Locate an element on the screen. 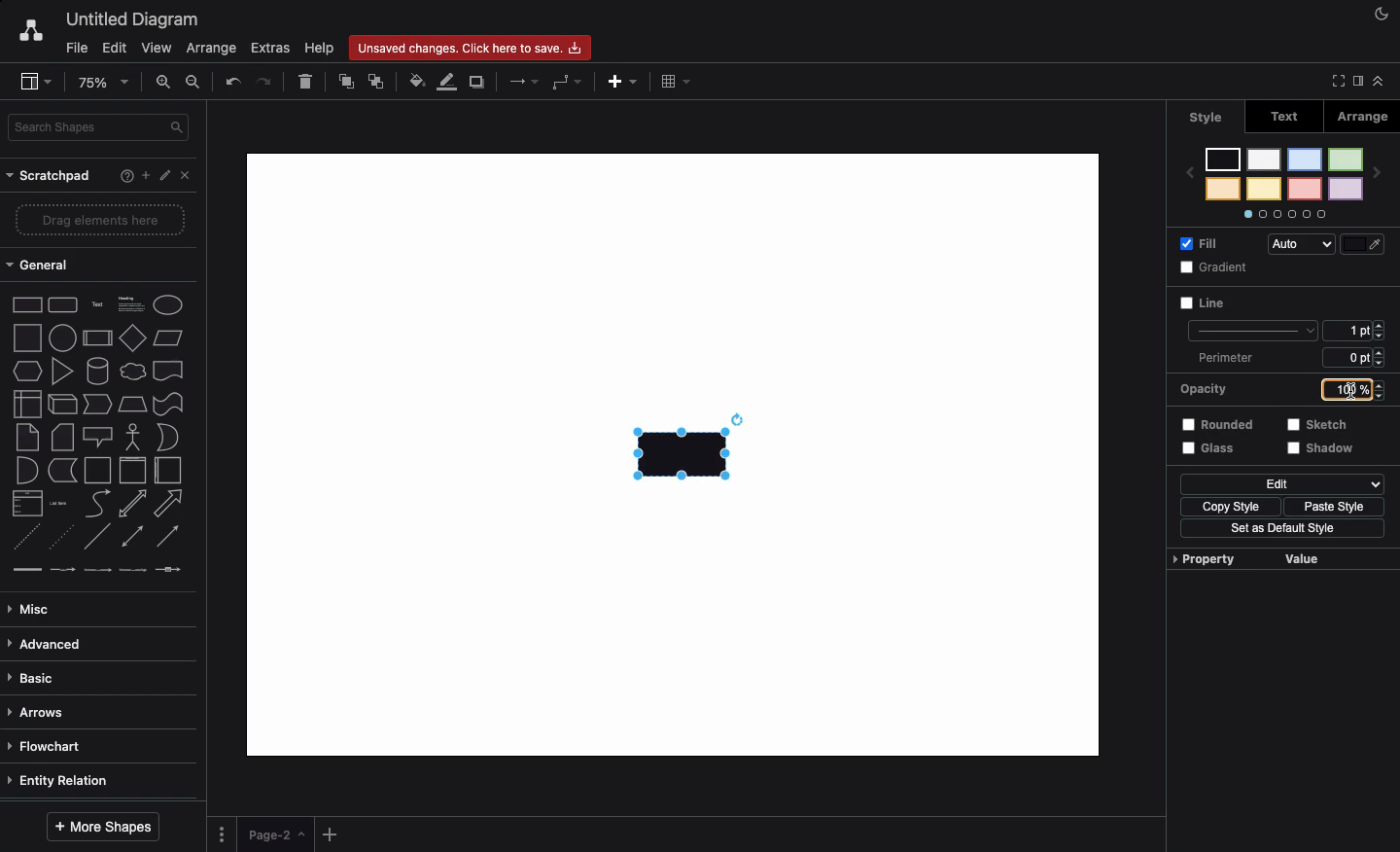 The height and width of the screenshot is (852, 1400). Waypoints is located at coordinates (565, 83).